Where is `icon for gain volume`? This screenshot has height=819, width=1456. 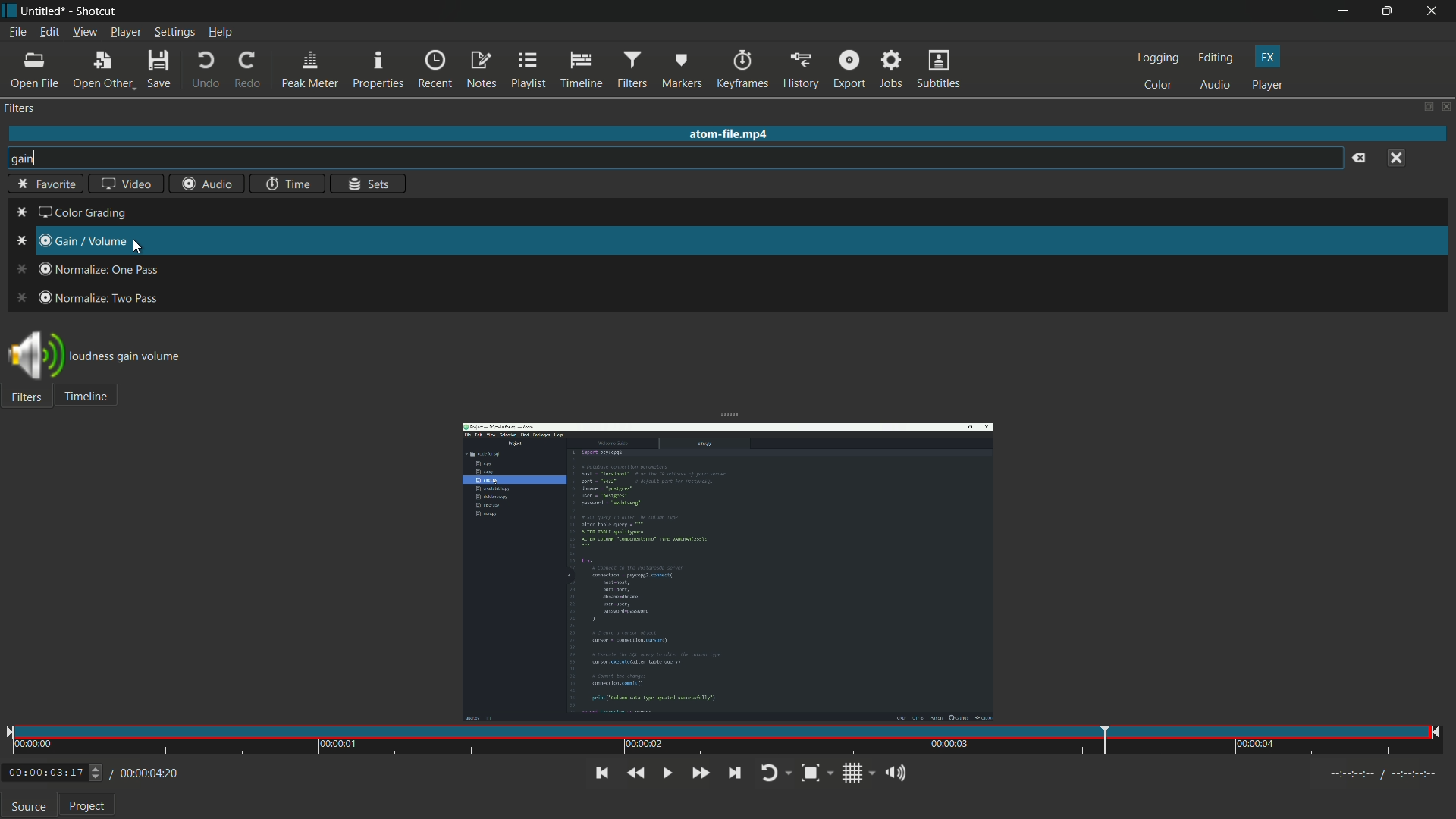 icon for gain volume is located at coordinates (34, 358).